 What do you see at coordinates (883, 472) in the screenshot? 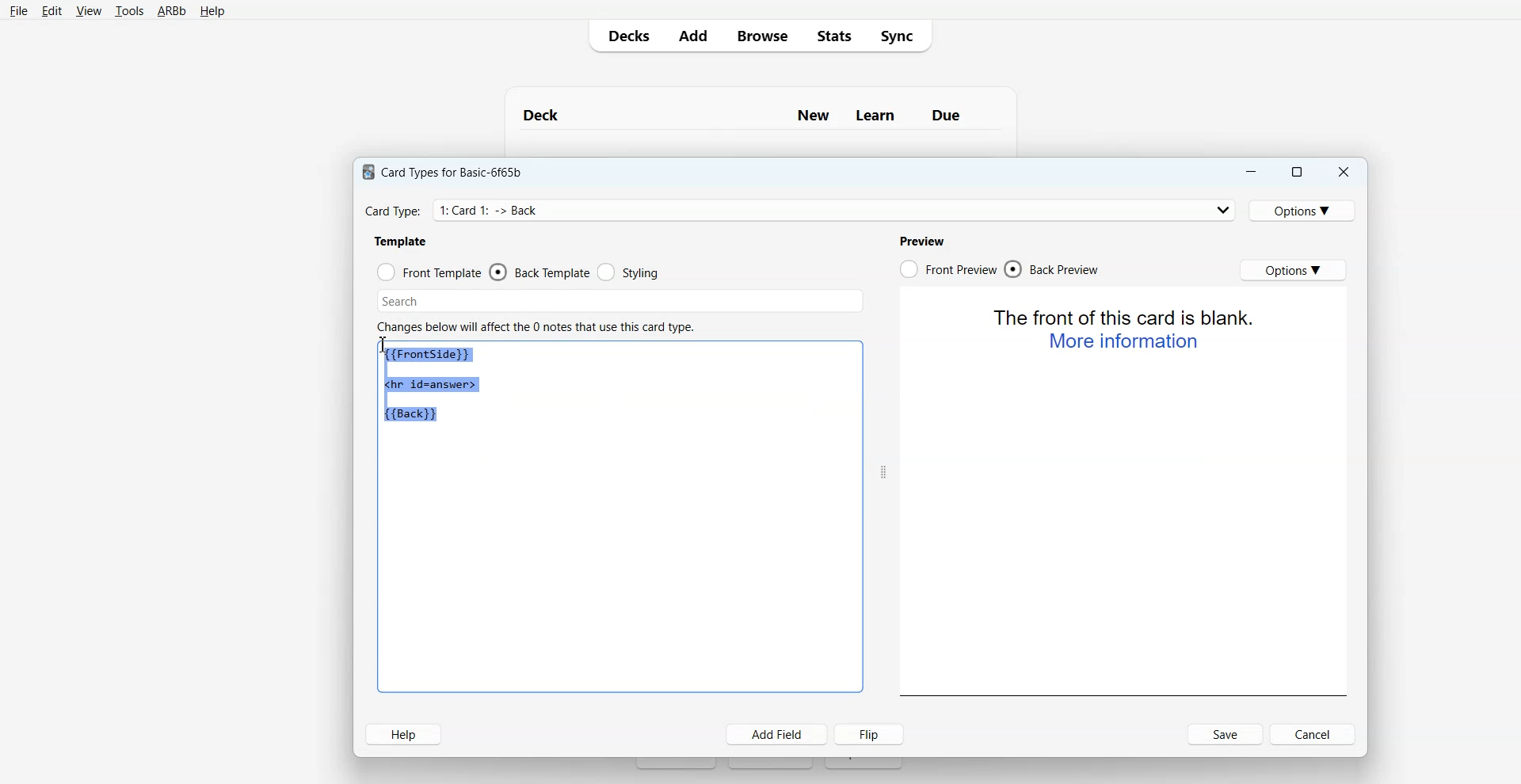
I see `Drag handle` at bounding box center [883, 472].